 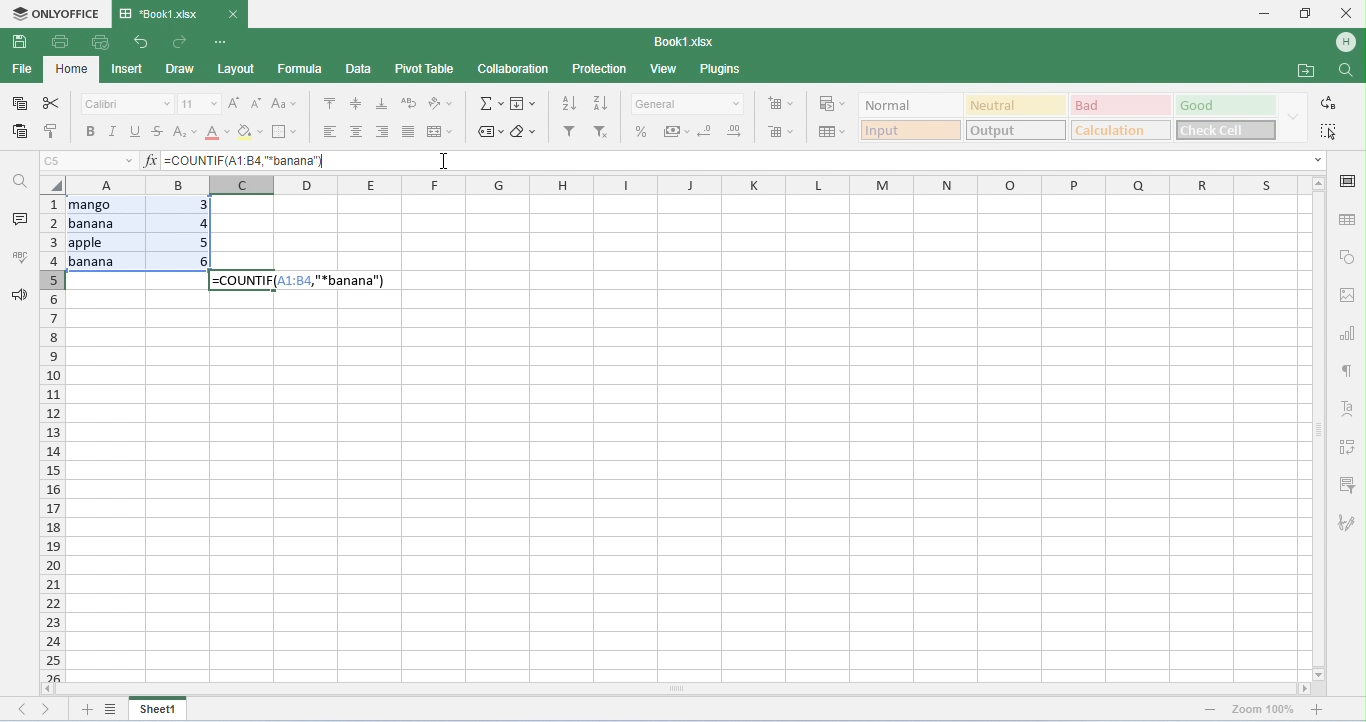 What do you see at coordinates (53, 438) in the screenshot?
I see `row numbers` at bounding box center [53, 438].